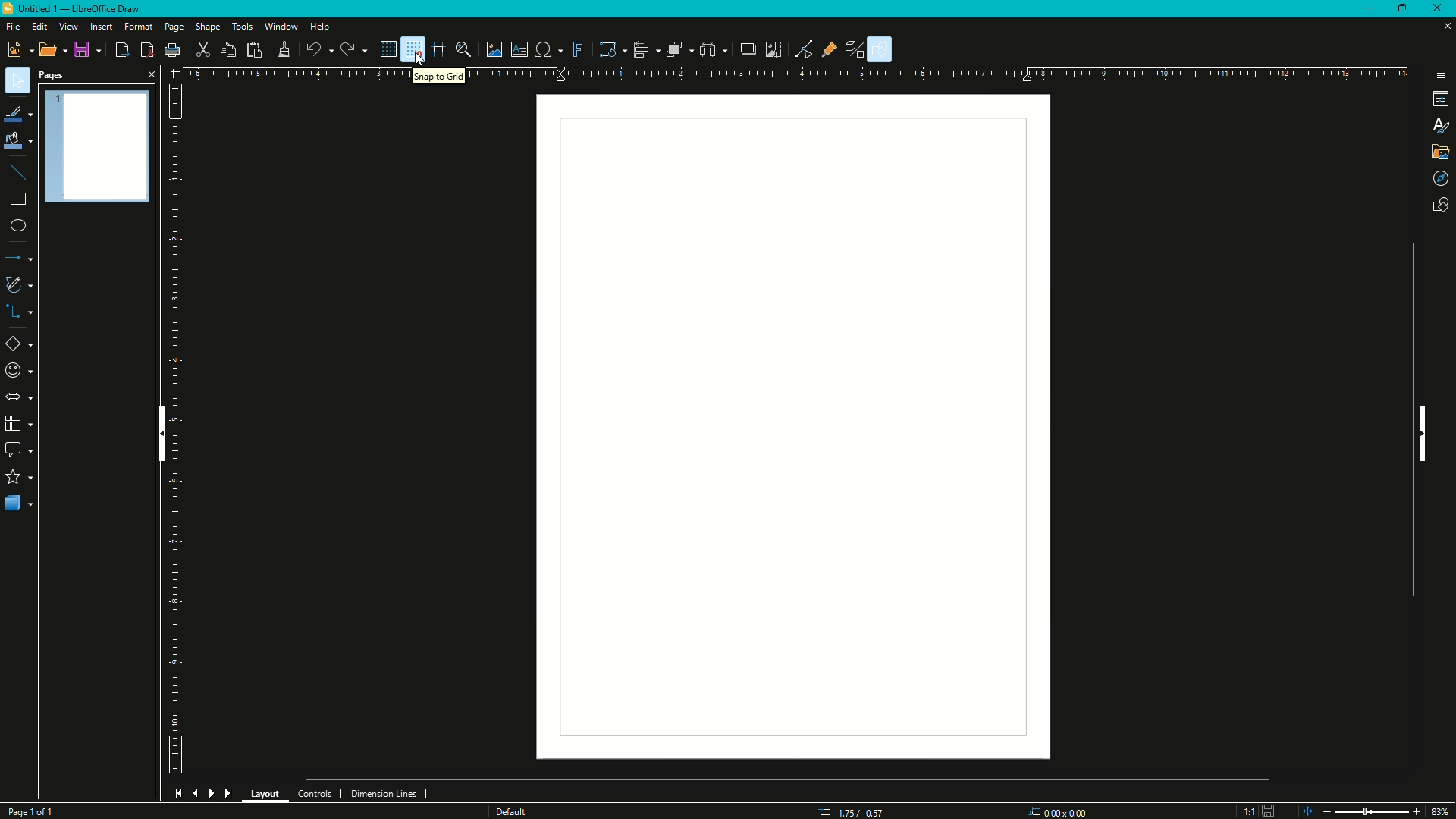 The width and height of the screenshot is (1456, 819). I want to click on Zoom controls, so click(1302, 809).